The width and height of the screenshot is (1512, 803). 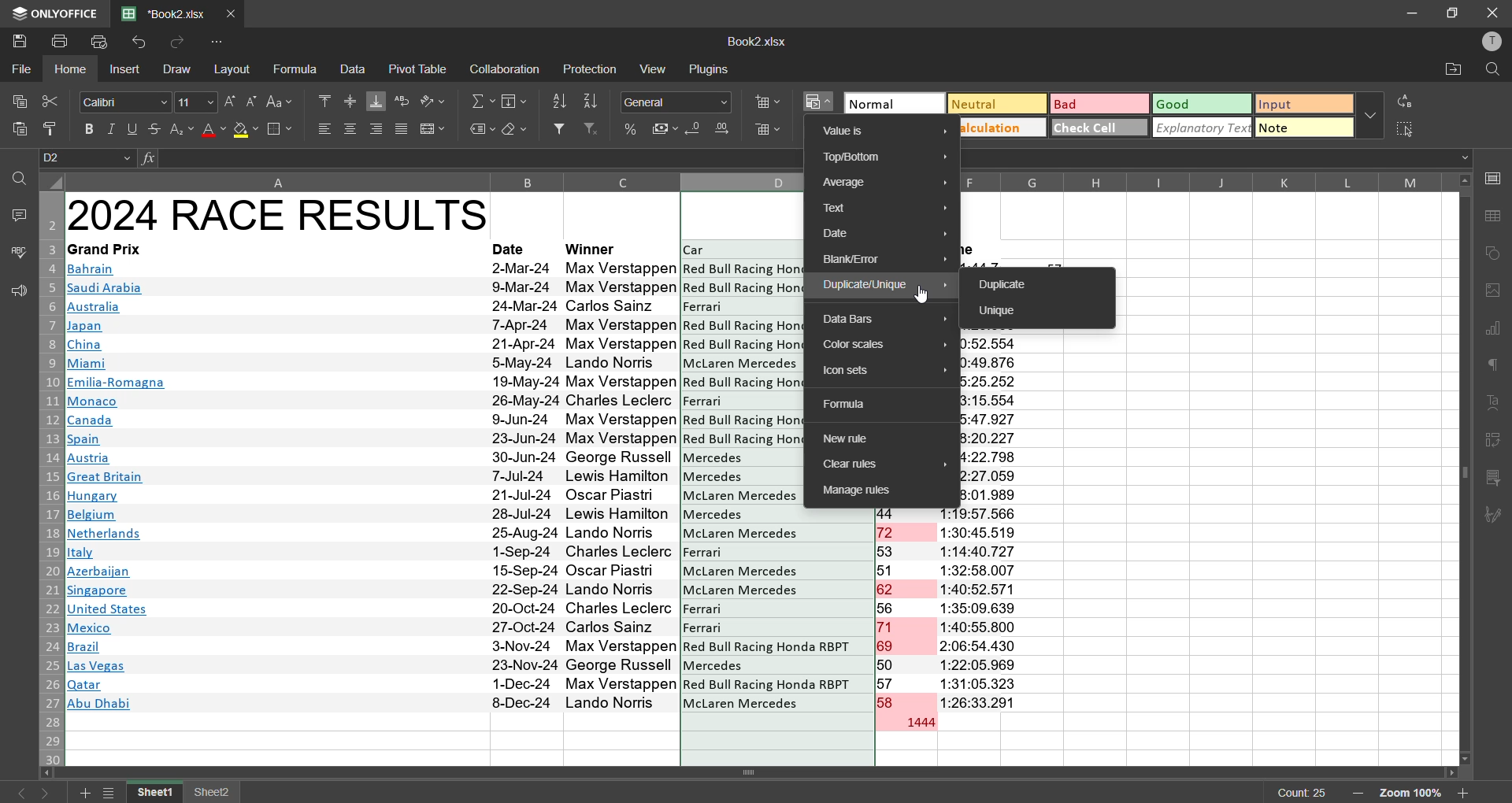 I want to click on sheet  name, so click(x=213, y=794).